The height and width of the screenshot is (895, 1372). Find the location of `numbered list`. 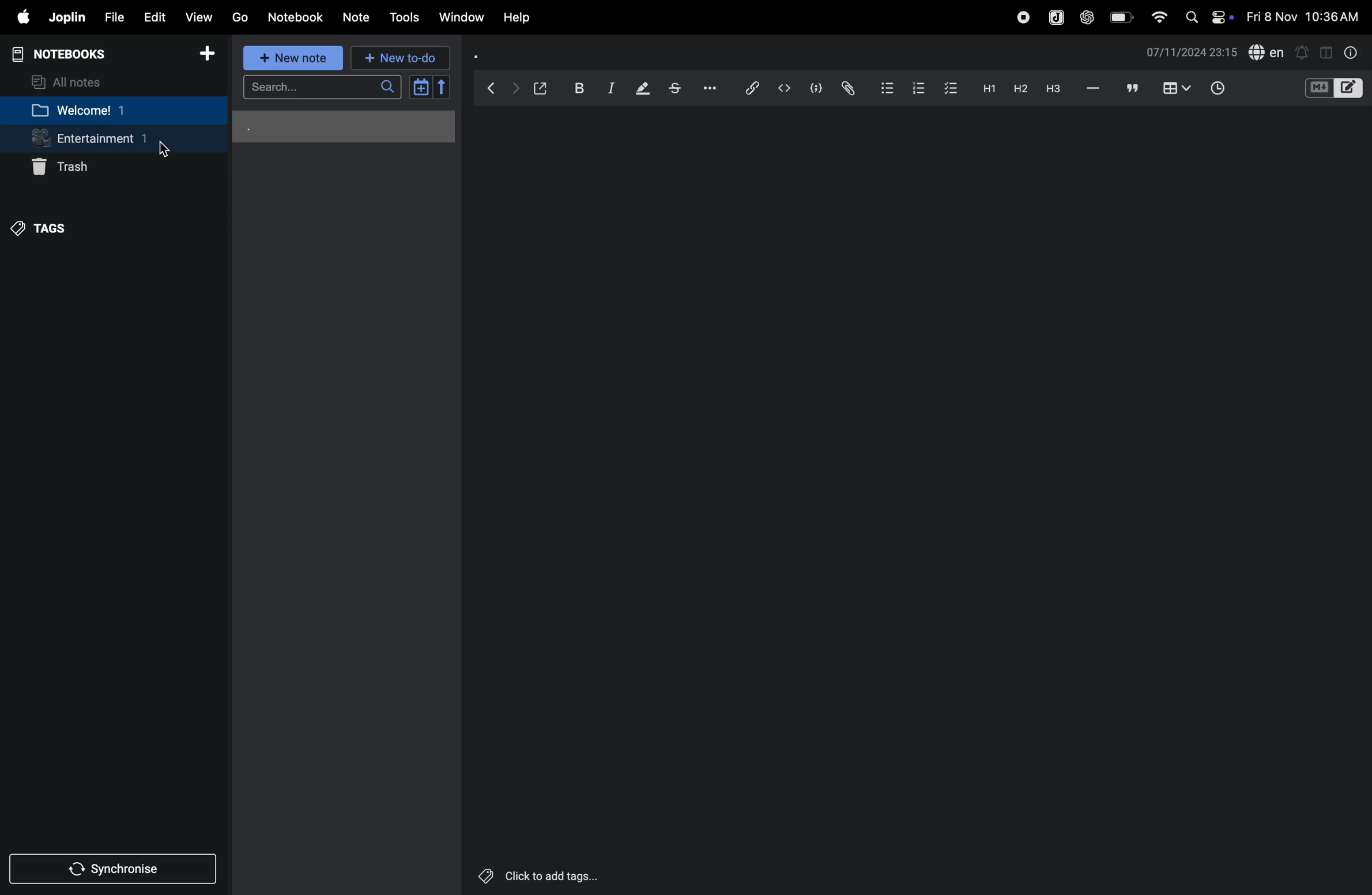

numbered list is located at coordinates (914, 89).